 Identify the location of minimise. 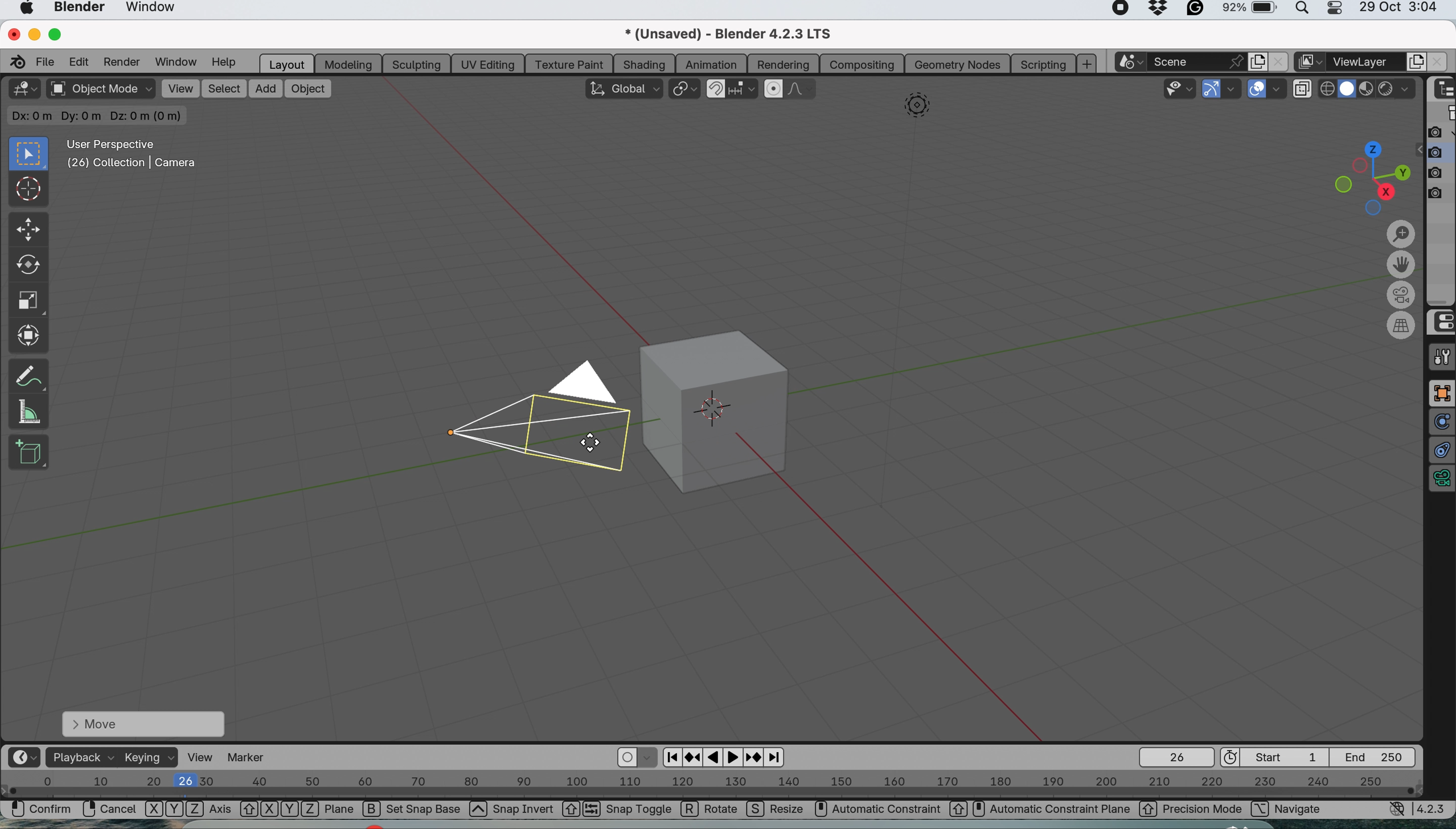
(32, 34).